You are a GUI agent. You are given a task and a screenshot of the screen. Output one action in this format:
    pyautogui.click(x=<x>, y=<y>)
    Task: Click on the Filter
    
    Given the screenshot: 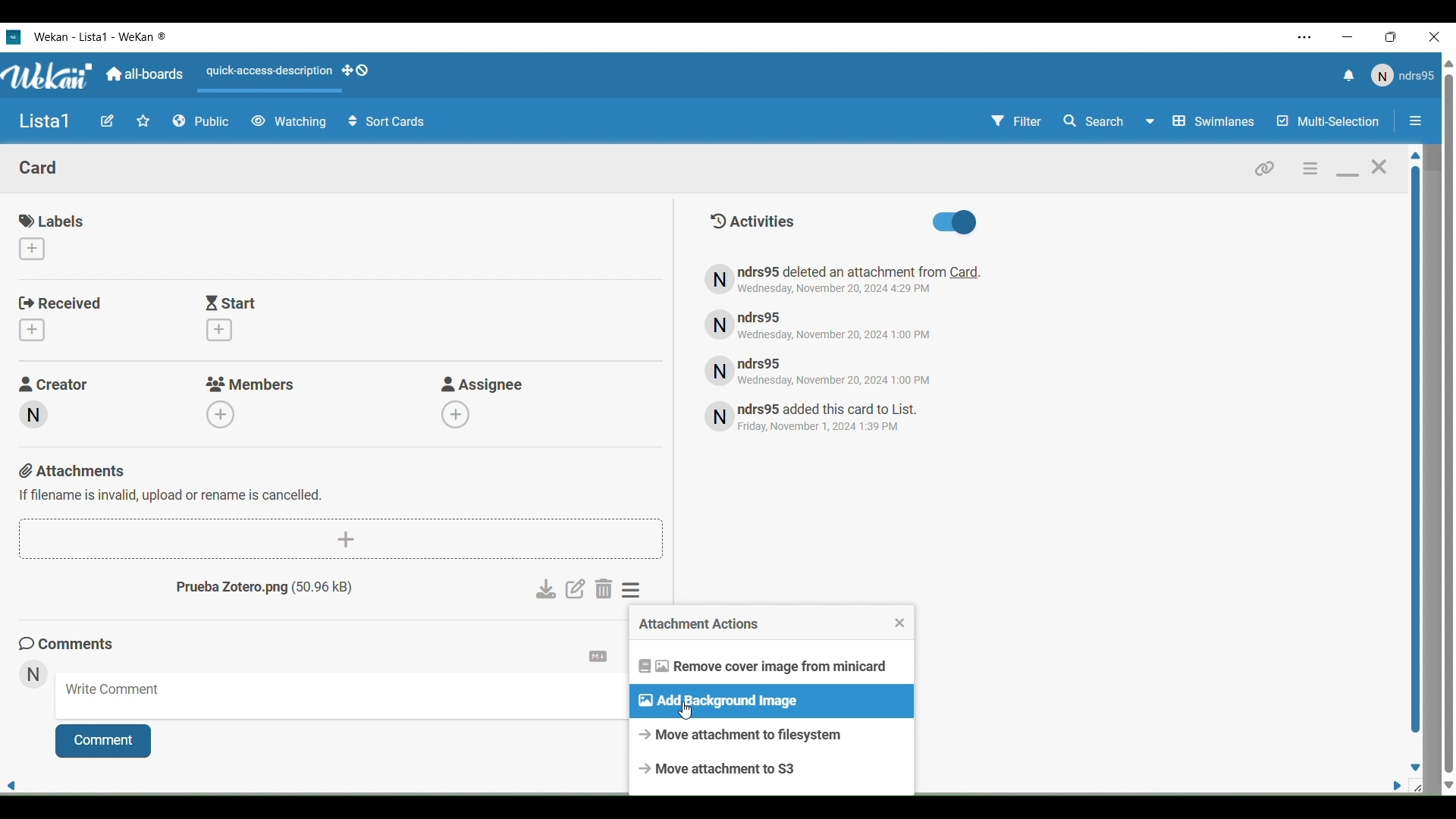 What is the action you would take?
    pyautogui.click(x=1019, y=121)
    